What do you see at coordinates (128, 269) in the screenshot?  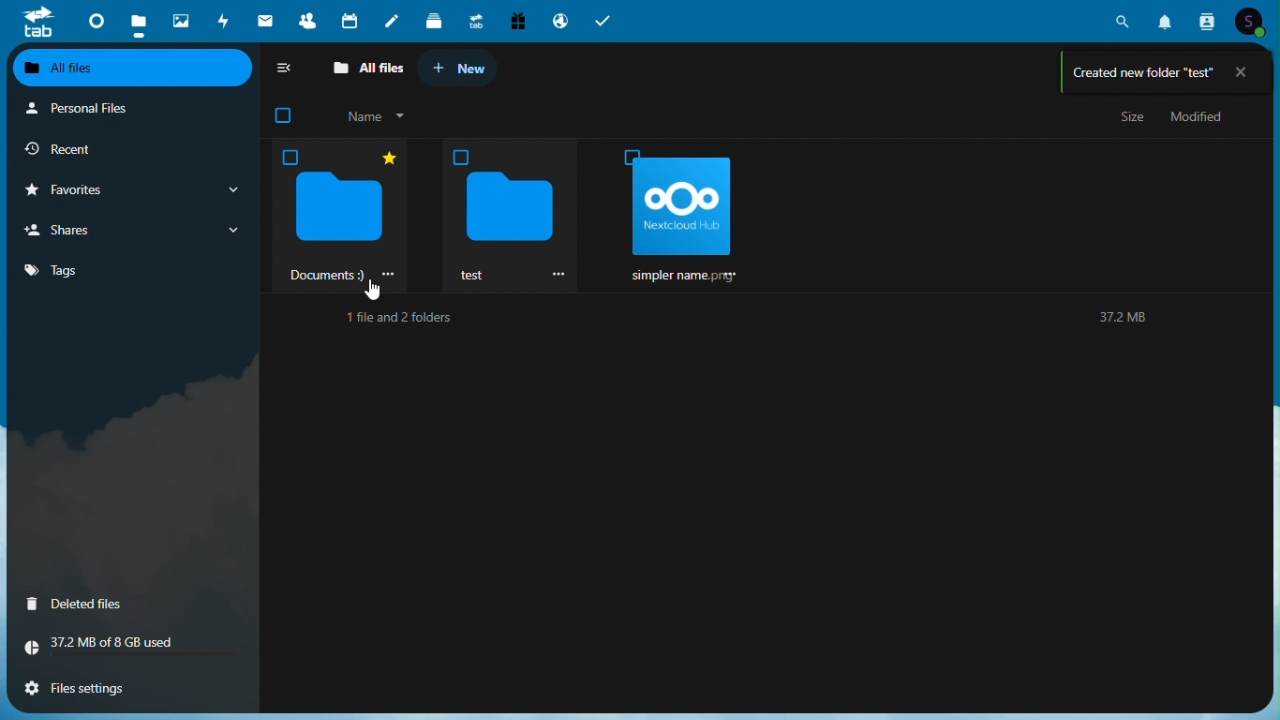 I see `Tags` at bounding box center [128, 269].